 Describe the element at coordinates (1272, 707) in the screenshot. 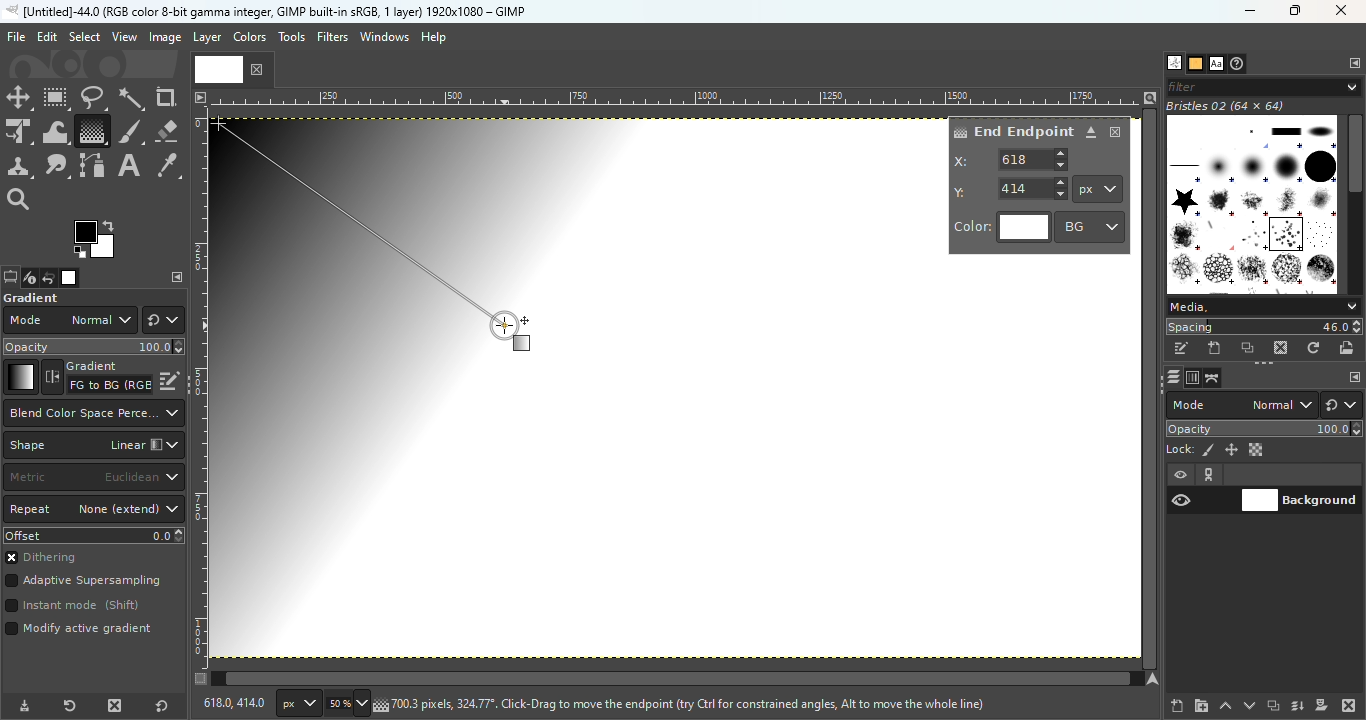

I see `Create a duplicate of the layer and add it to the image` at that location.